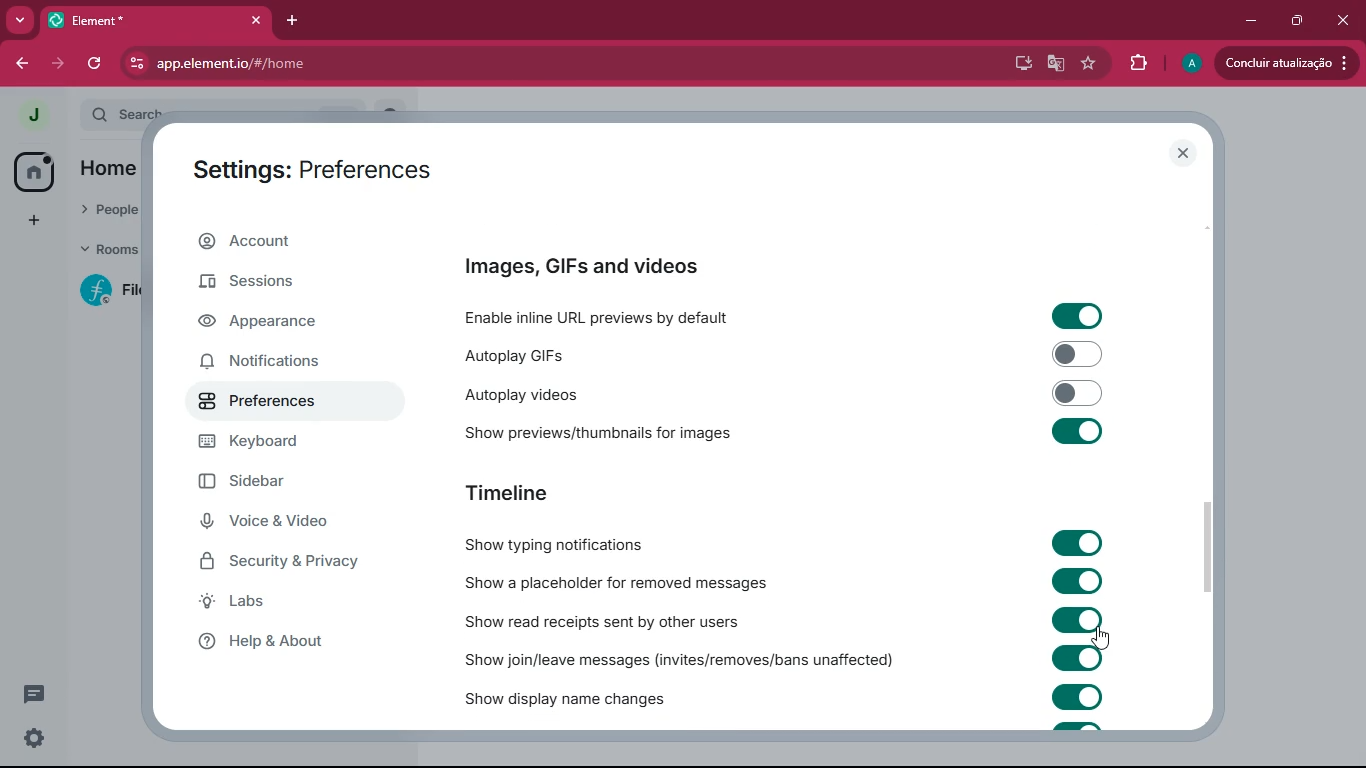  Describe the element at coordinates (581, 267) in the screenshot. I see `images, GIFs and videos` at that location.